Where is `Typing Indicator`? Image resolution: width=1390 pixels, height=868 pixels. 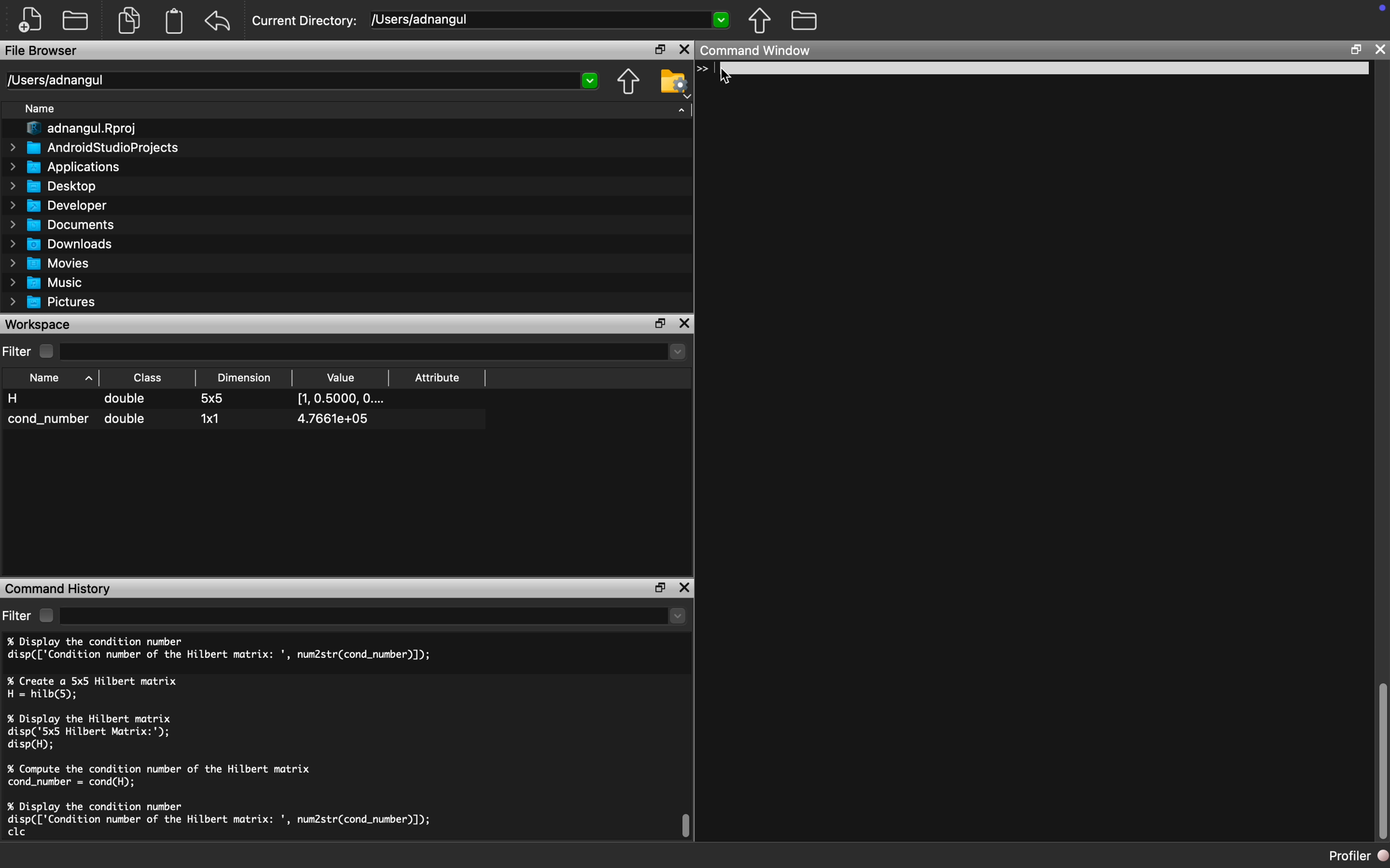
Typing Indicator is located at coordinates (709, 69).